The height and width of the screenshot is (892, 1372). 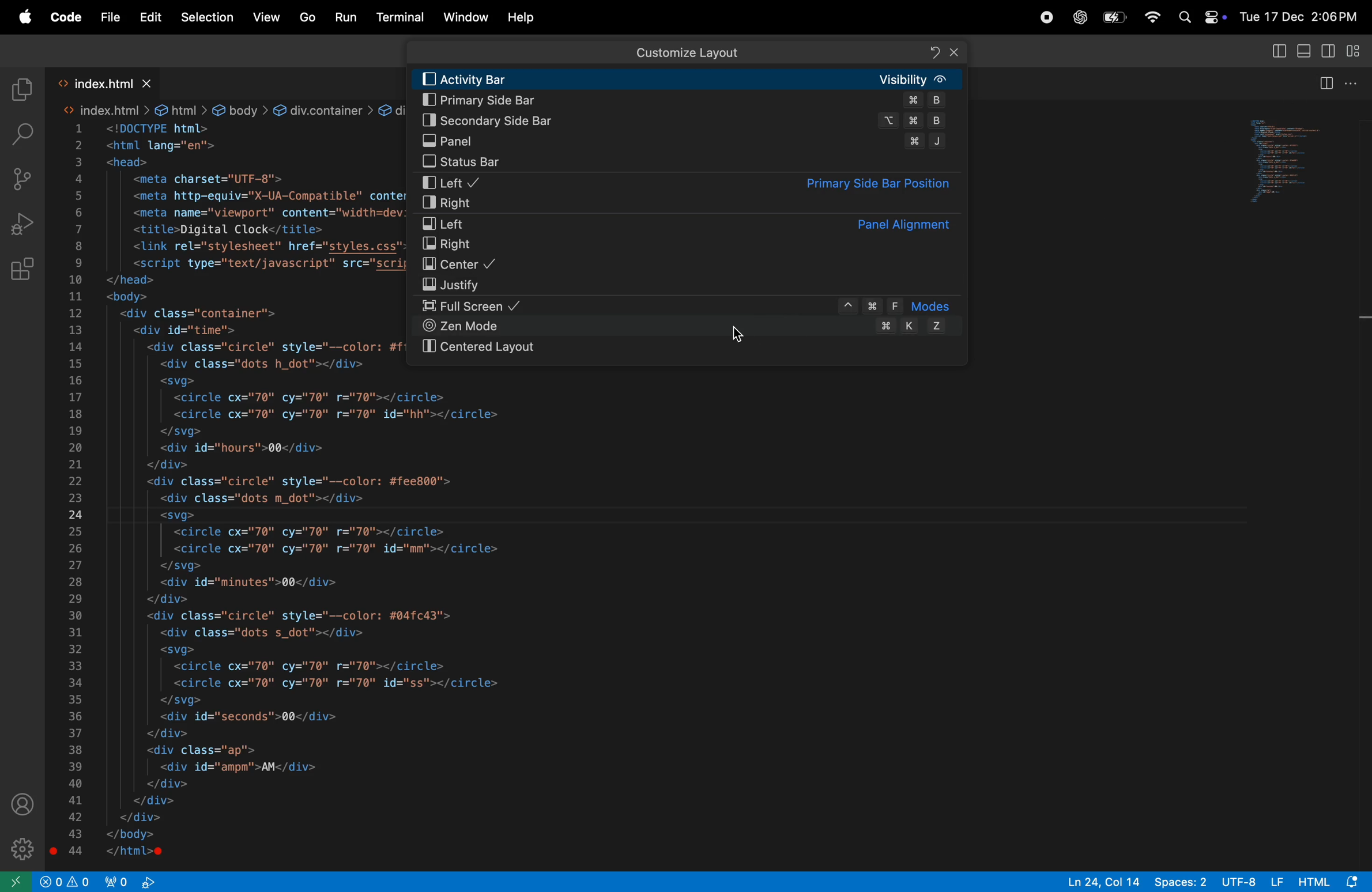 What do you see at coordinates (21, 134) in the screenshot?
I see `search` at bounding box center [21, 134].